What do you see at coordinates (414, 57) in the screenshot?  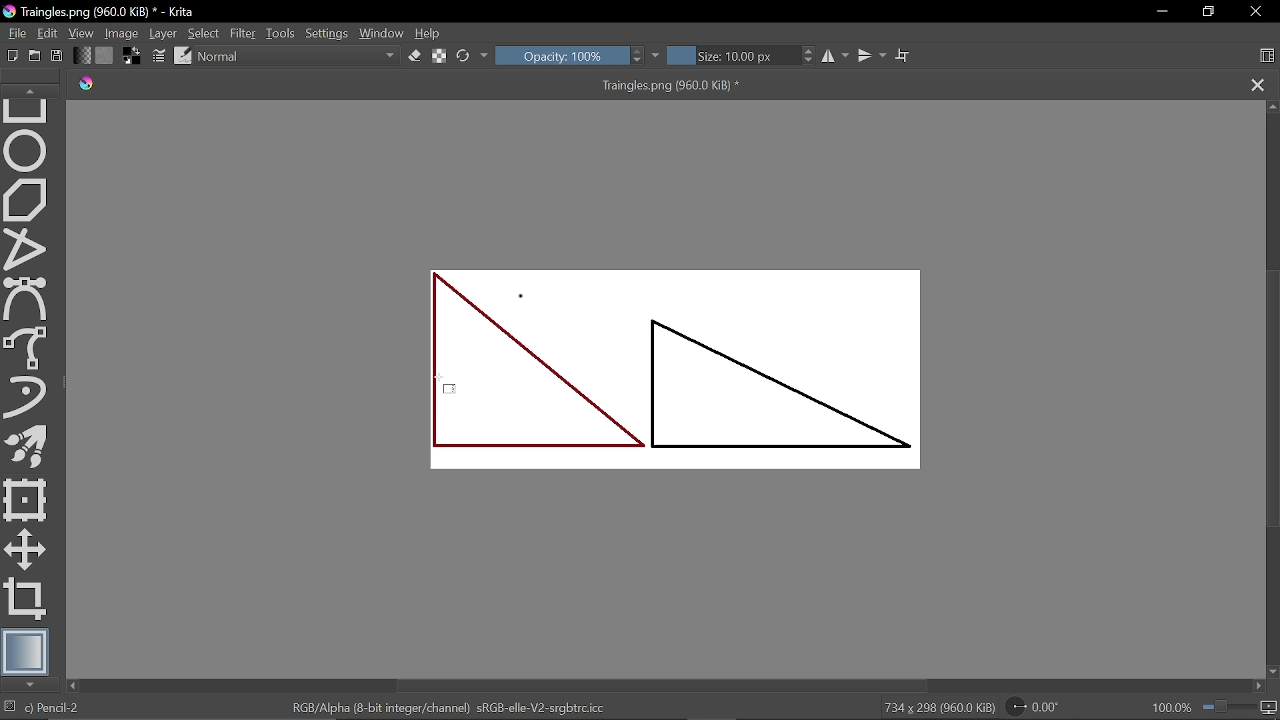 I see `Eraser` at bounding box center [414, 57].